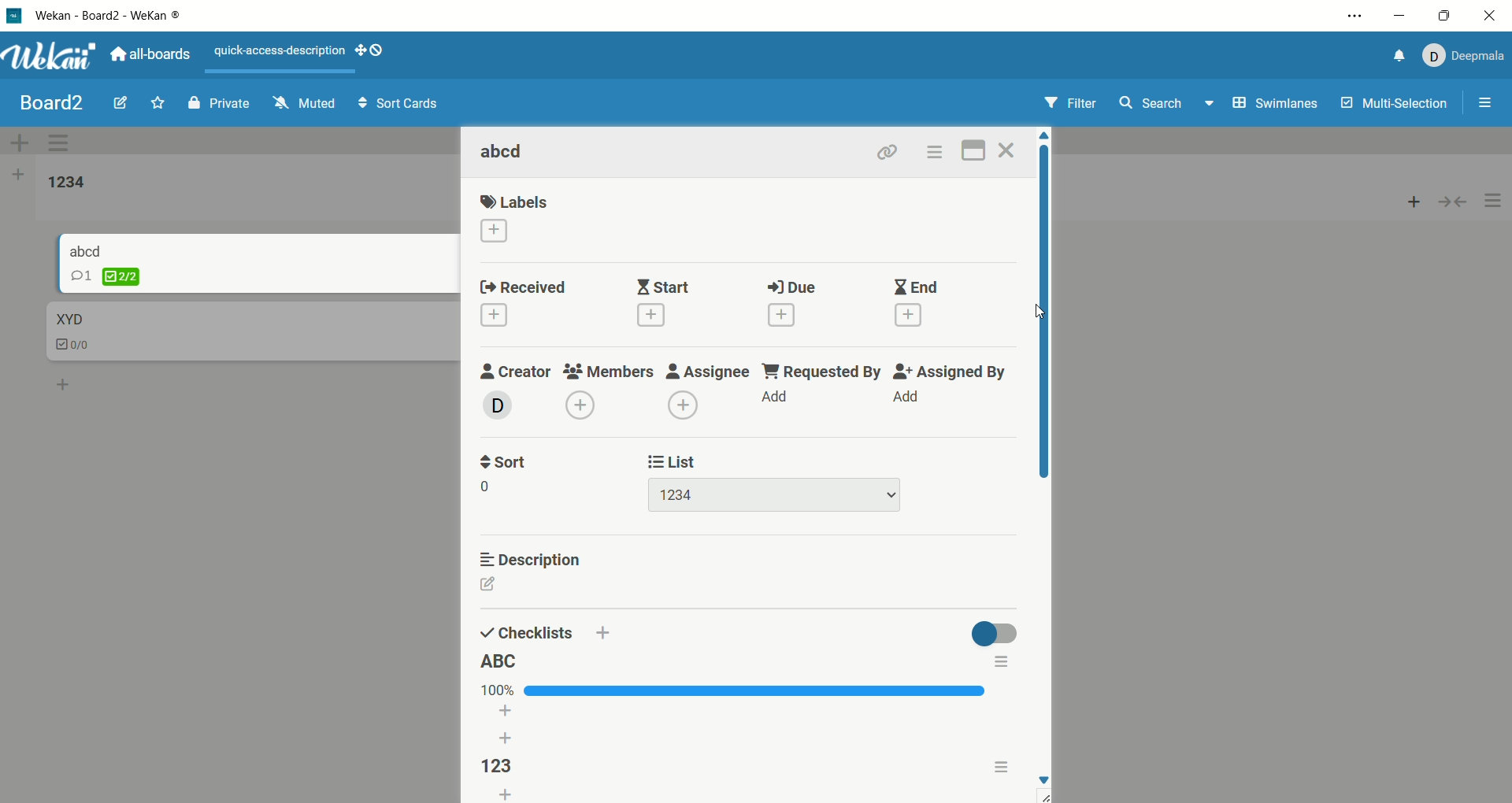 The image size is (1512, 803). Describe the element at coordinates (1494, 202) in the screenshot. I see `options` at that location.